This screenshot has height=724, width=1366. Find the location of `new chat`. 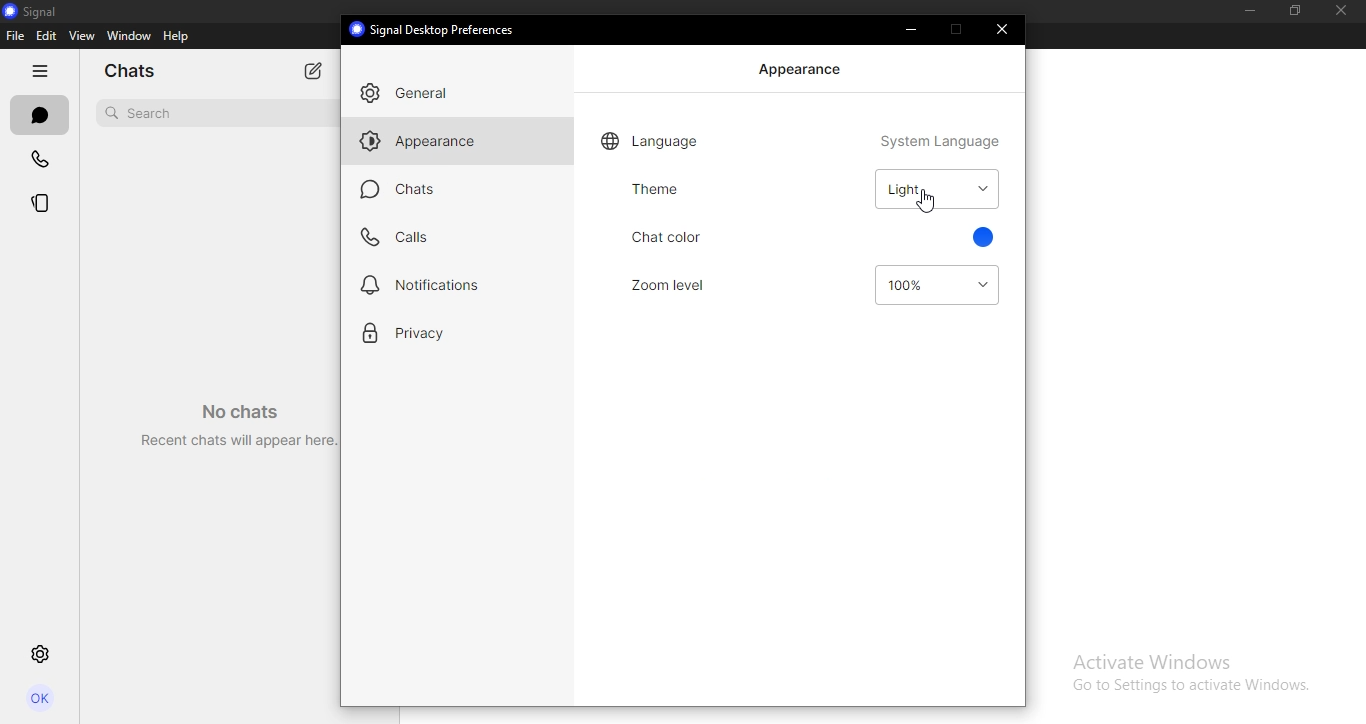

new chat is located at coordinates (314, 69).